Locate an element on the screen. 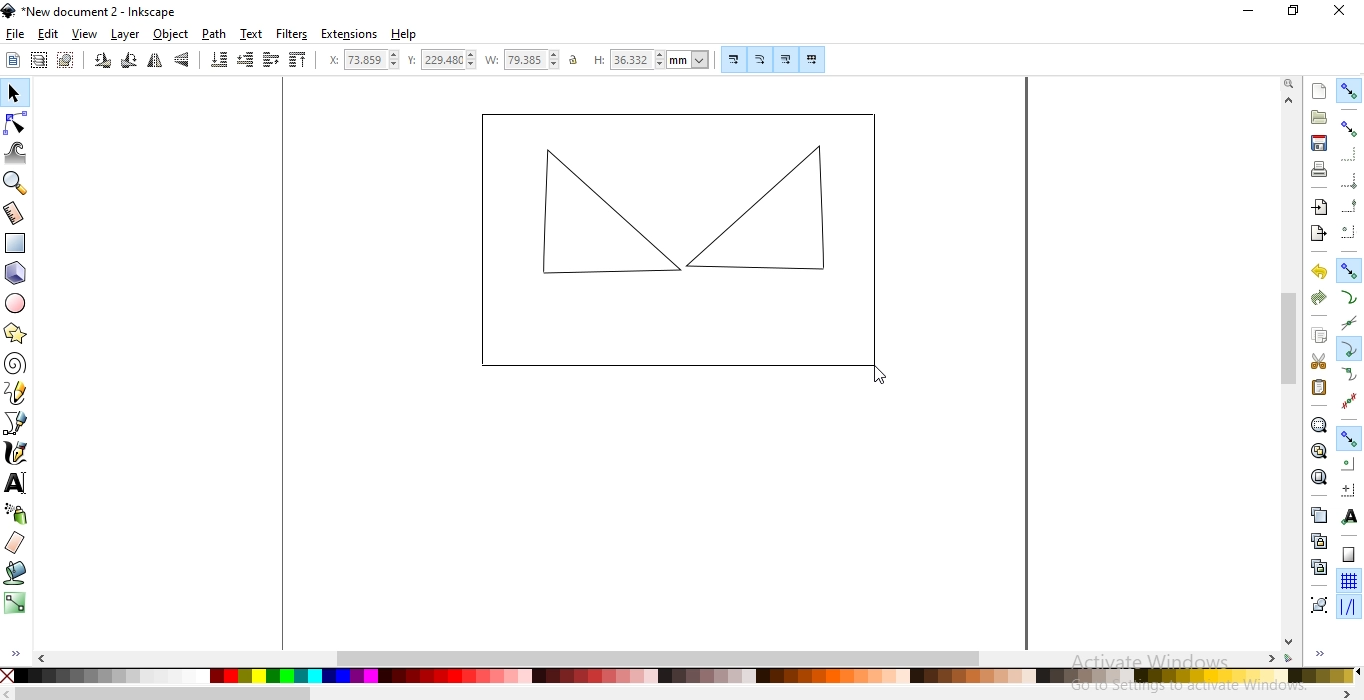 The width and height of the screenshot is (1364, 700). rotate 90 counter clockwise is located at coordinates (103, 61).